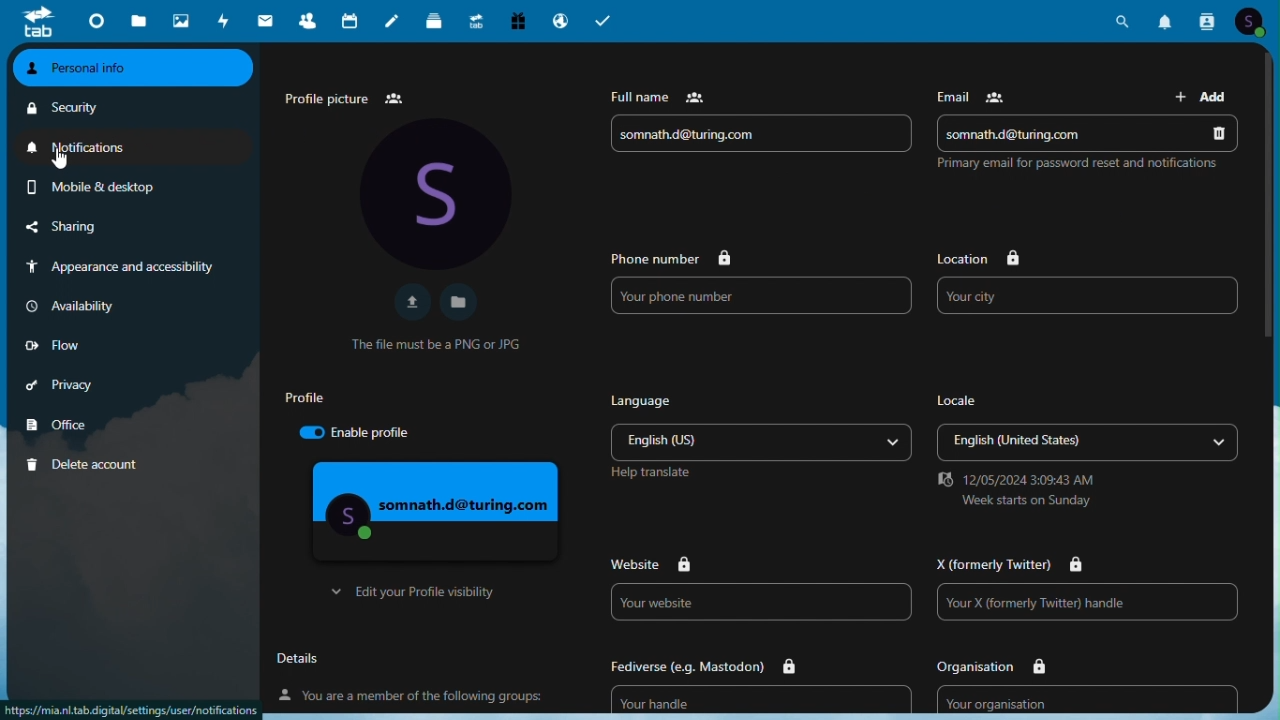  I want to click on email, so click(1083, 97).